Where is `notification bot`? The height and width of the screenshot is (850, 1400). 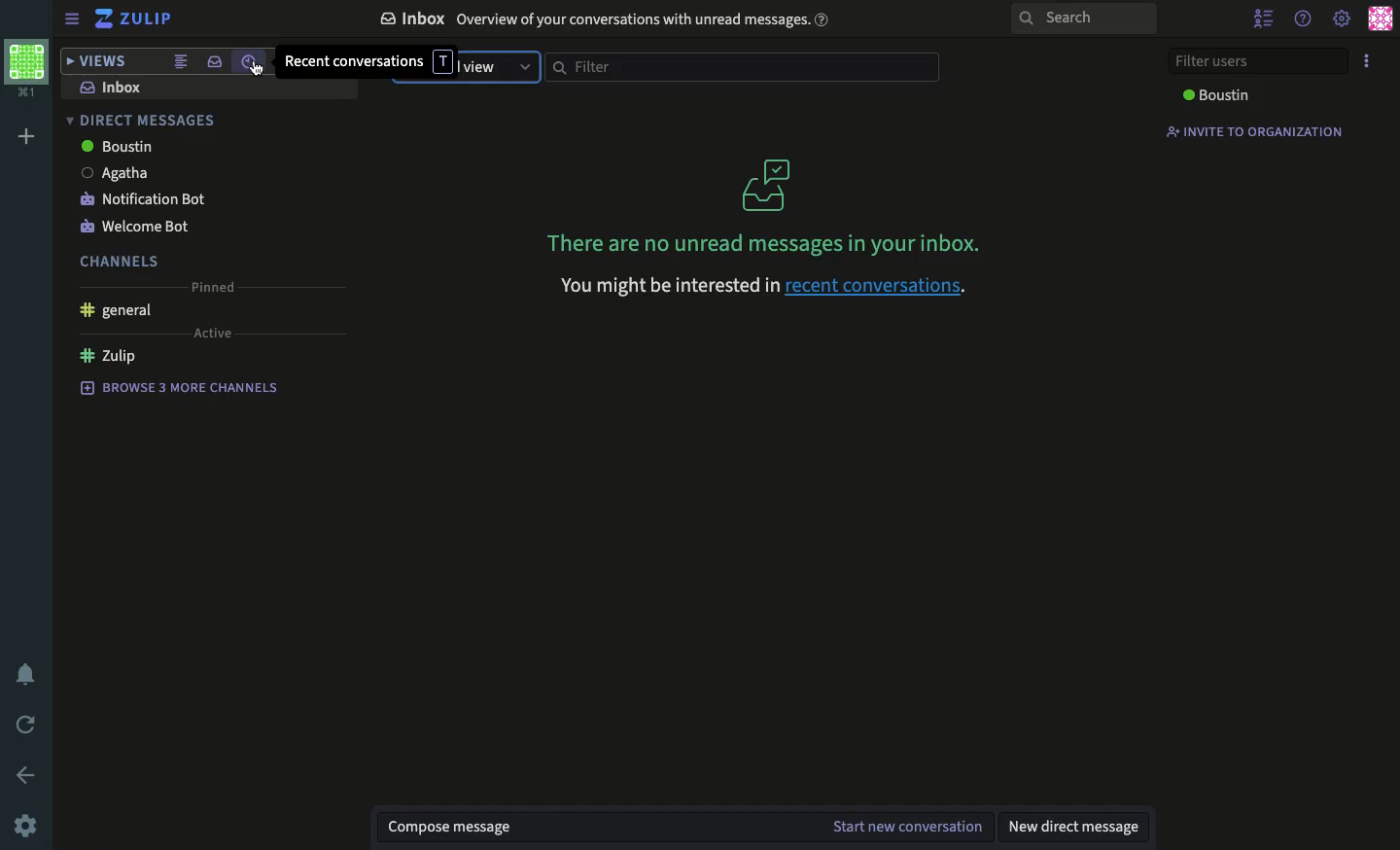
notification bot is located at coordinates (140, 200).